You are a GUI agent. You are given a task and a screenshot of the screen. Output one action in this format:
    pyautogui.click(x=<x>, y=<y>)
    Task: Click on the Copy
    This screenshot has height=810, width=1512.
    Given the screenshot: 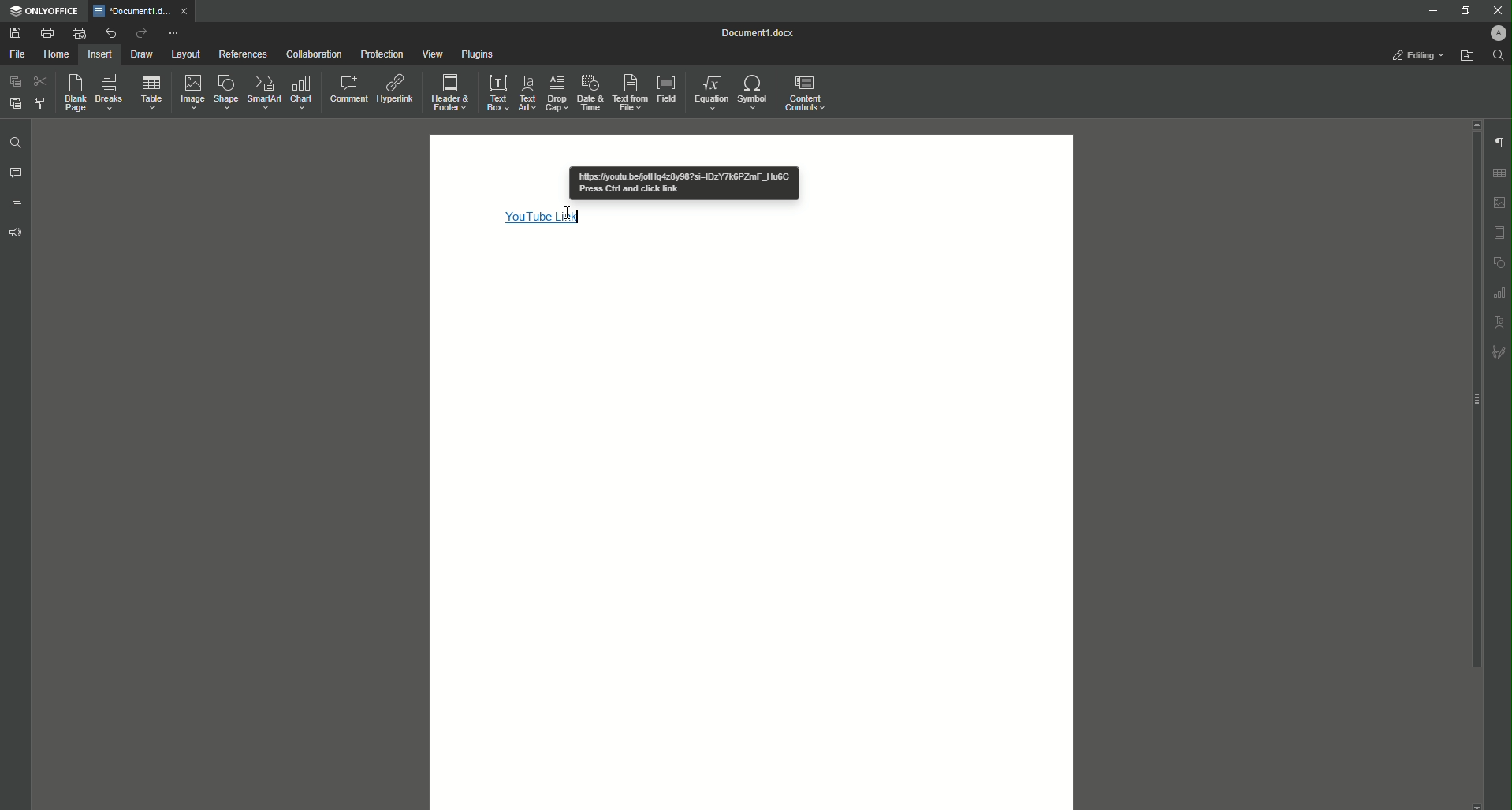 What is the action you would take?
    pyautogui.click(x=15, y=81)
    